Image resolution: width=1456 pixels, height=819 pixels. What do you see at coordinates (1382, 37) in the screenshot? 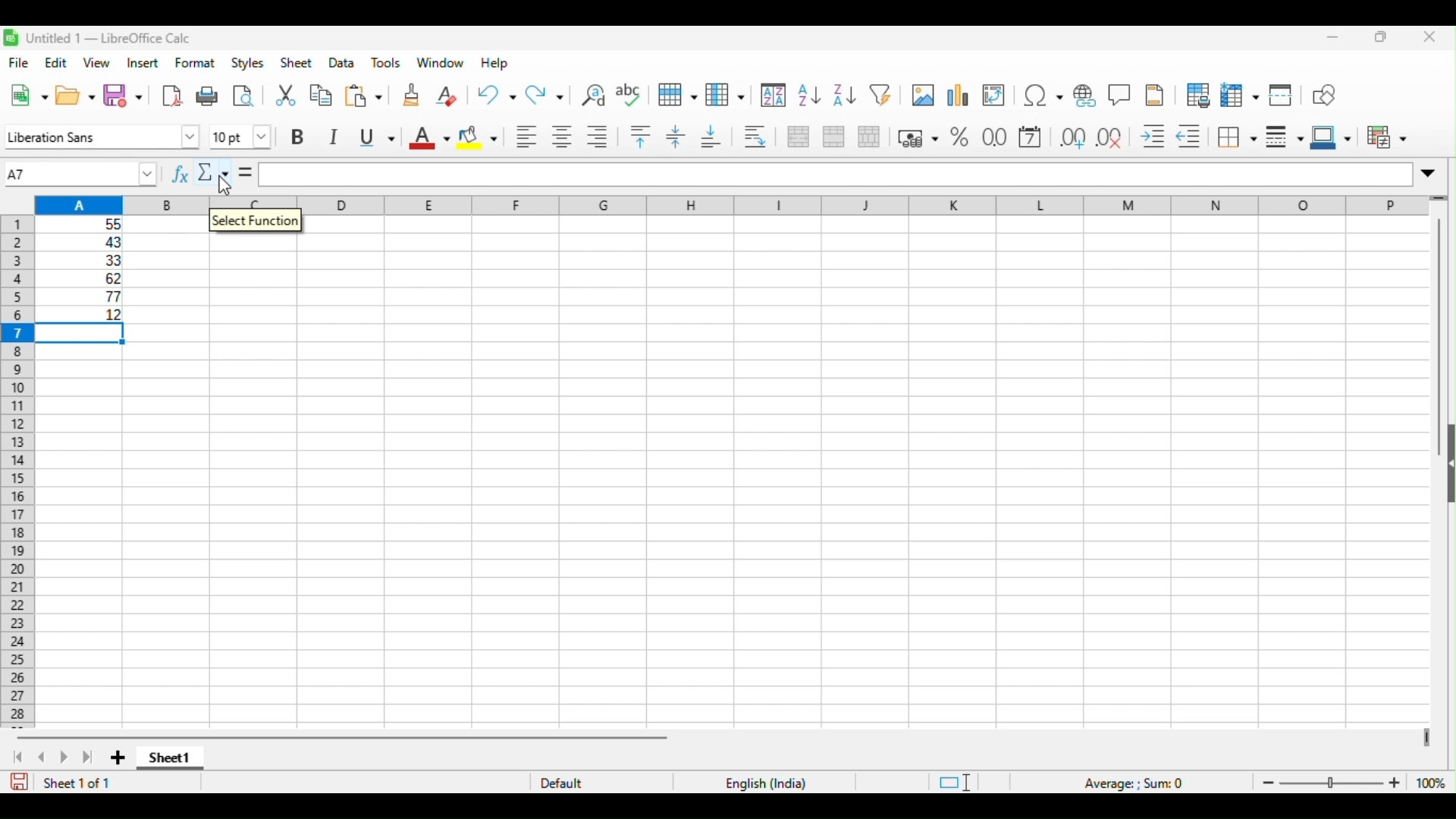
I see `maximize` at bounding box center [1382, 37].